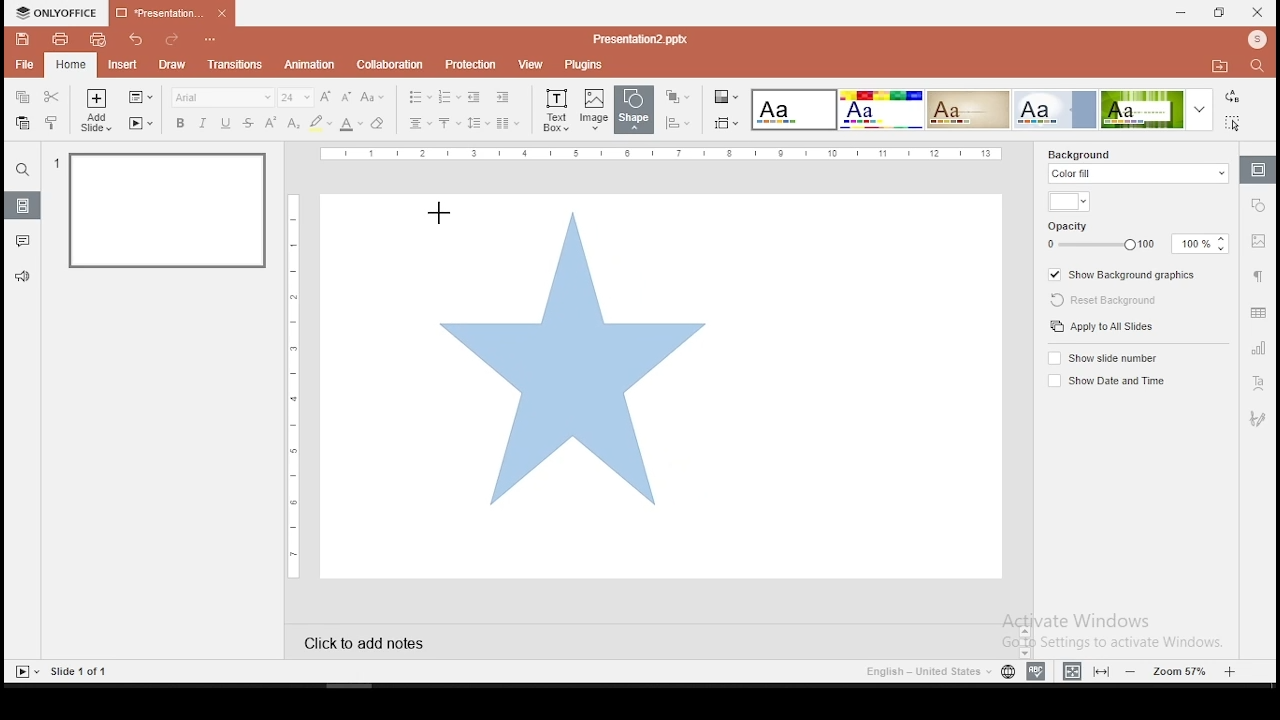 The image size is (1280, 720). Describe the element at coordinates (171, 41) in the screenshot. I see `redo` at that location.